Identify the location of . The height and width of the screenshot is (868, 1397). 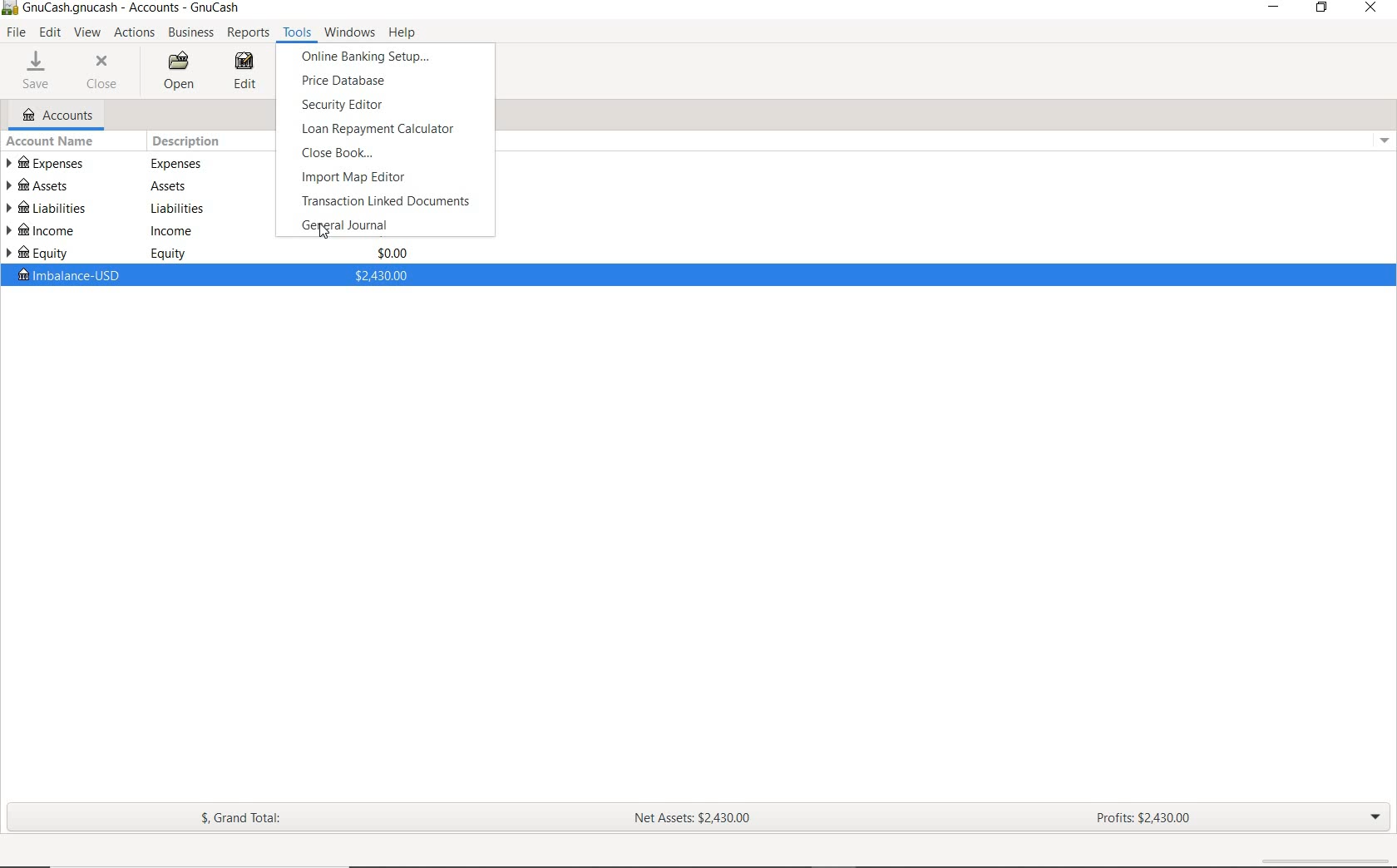
(168, 186).